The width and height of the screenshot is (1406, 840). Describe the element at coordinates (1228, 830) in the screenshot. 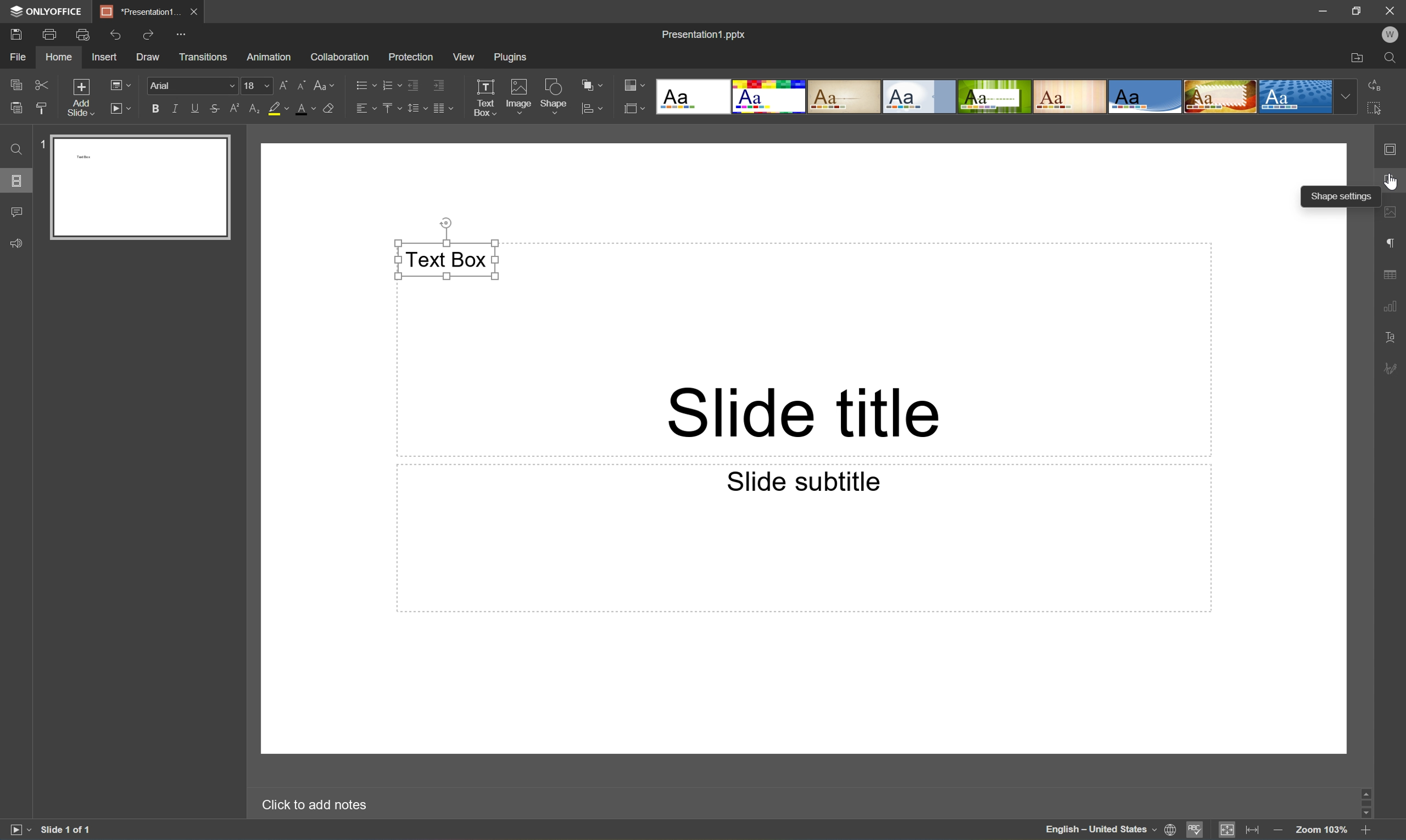

I see `Fit to slide` at that location.